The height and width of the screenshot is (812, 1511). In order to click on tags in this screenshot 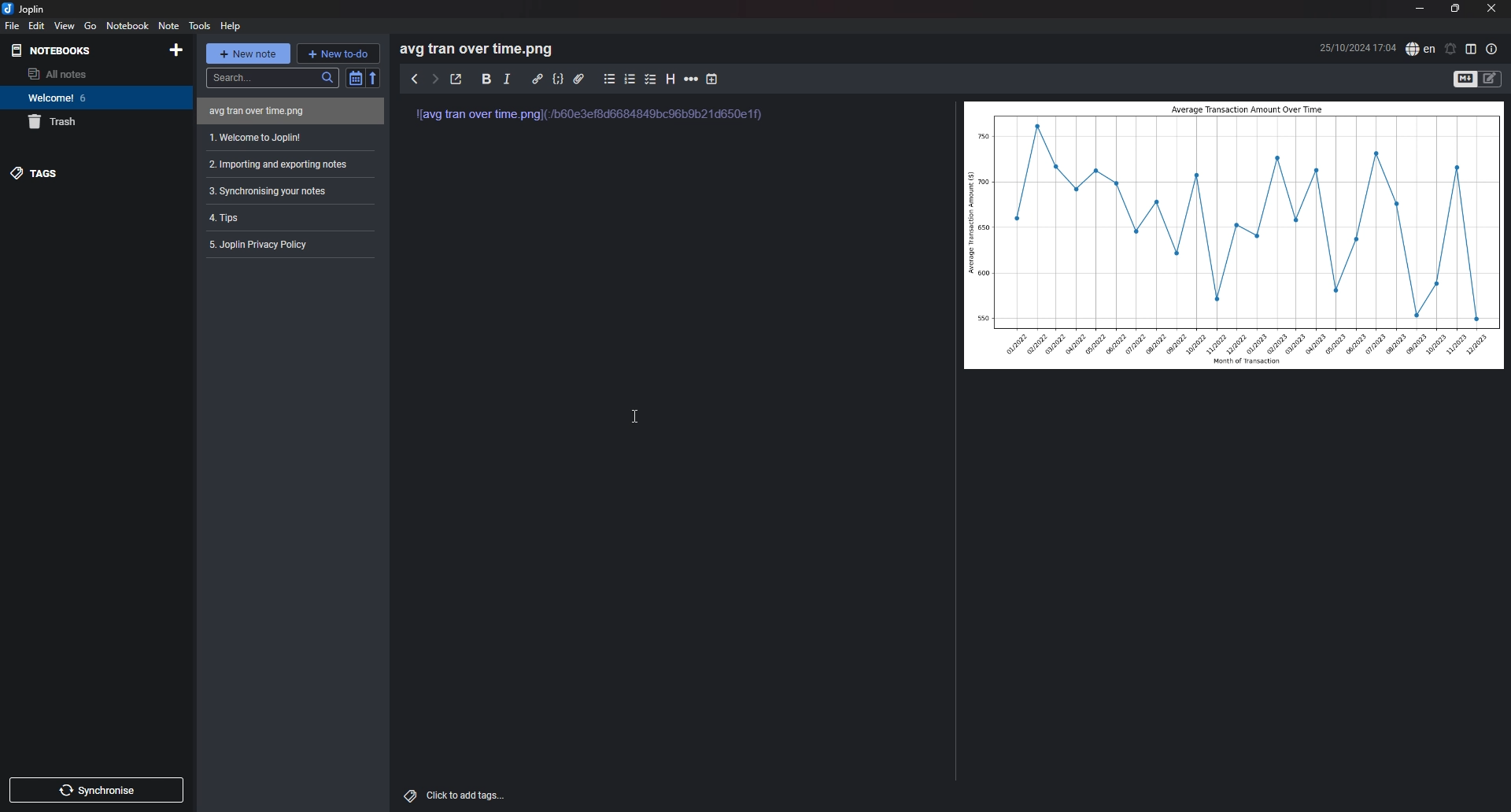, I will do `click(89, 174)`.